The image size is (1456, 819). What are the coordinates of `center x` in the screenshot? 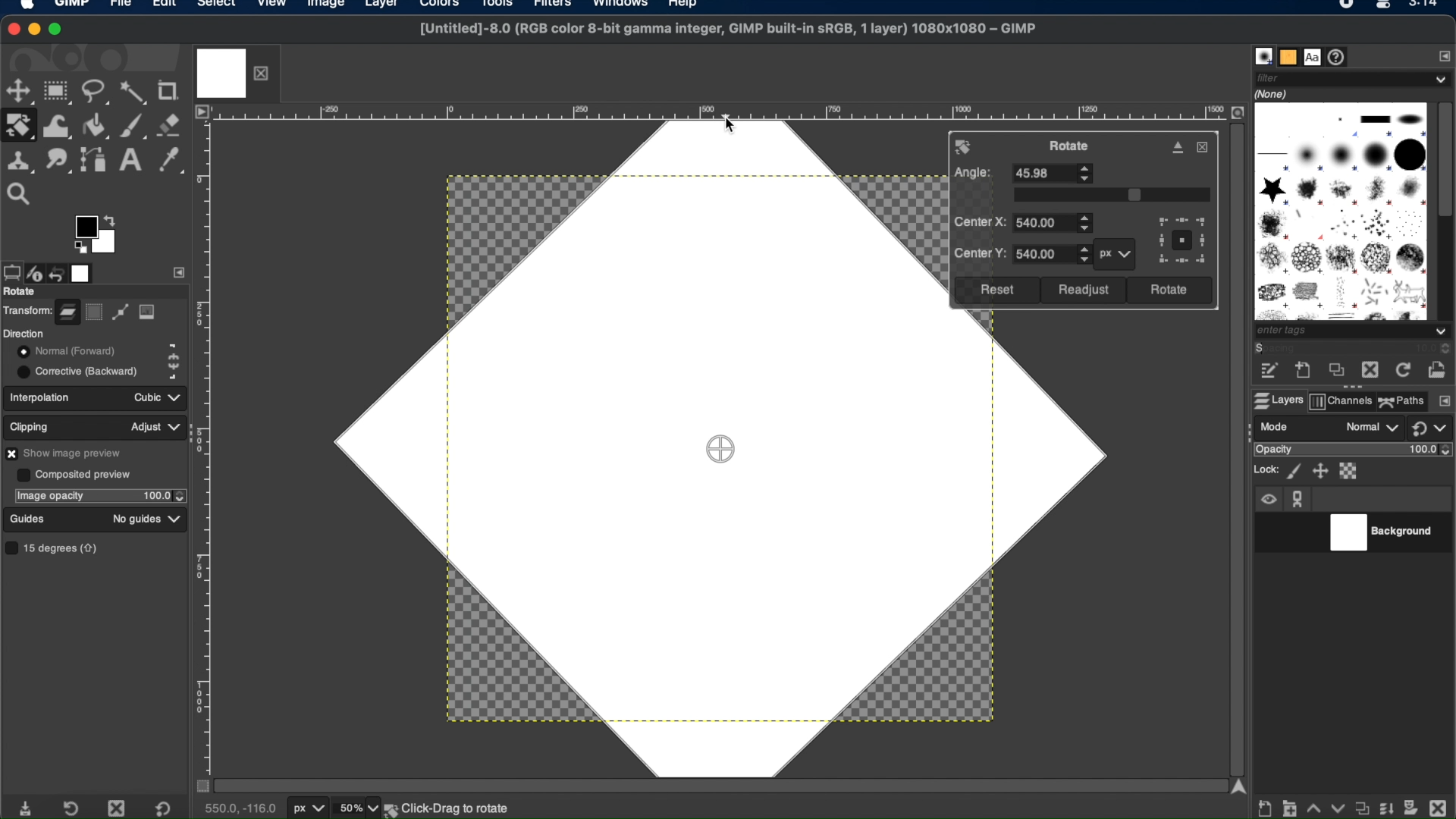 It's located at (1025, 223).